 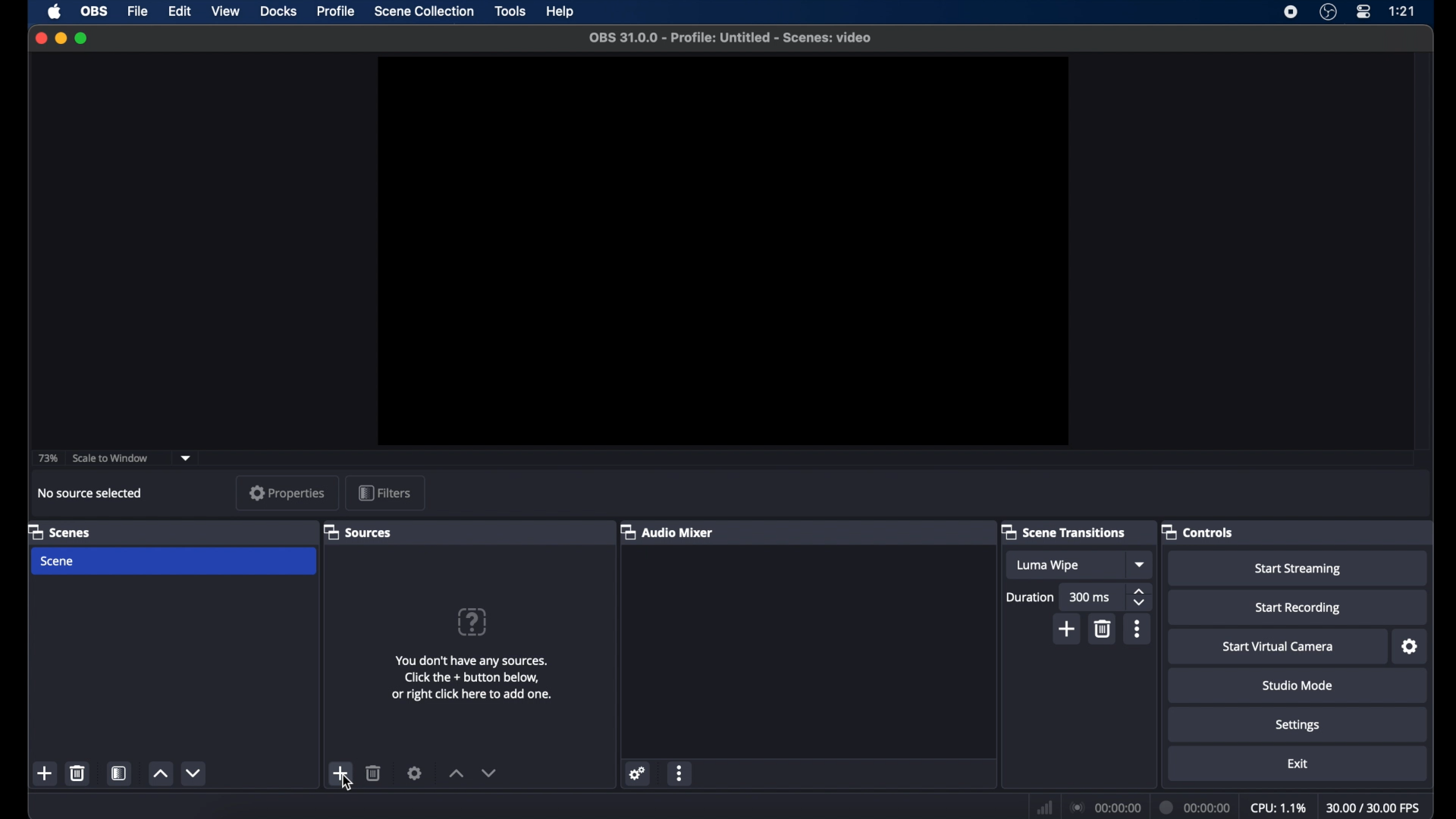 What do you see at coordinates (287, 493) in the screenshot?
I see `properties` at bounding box center [287, 493].